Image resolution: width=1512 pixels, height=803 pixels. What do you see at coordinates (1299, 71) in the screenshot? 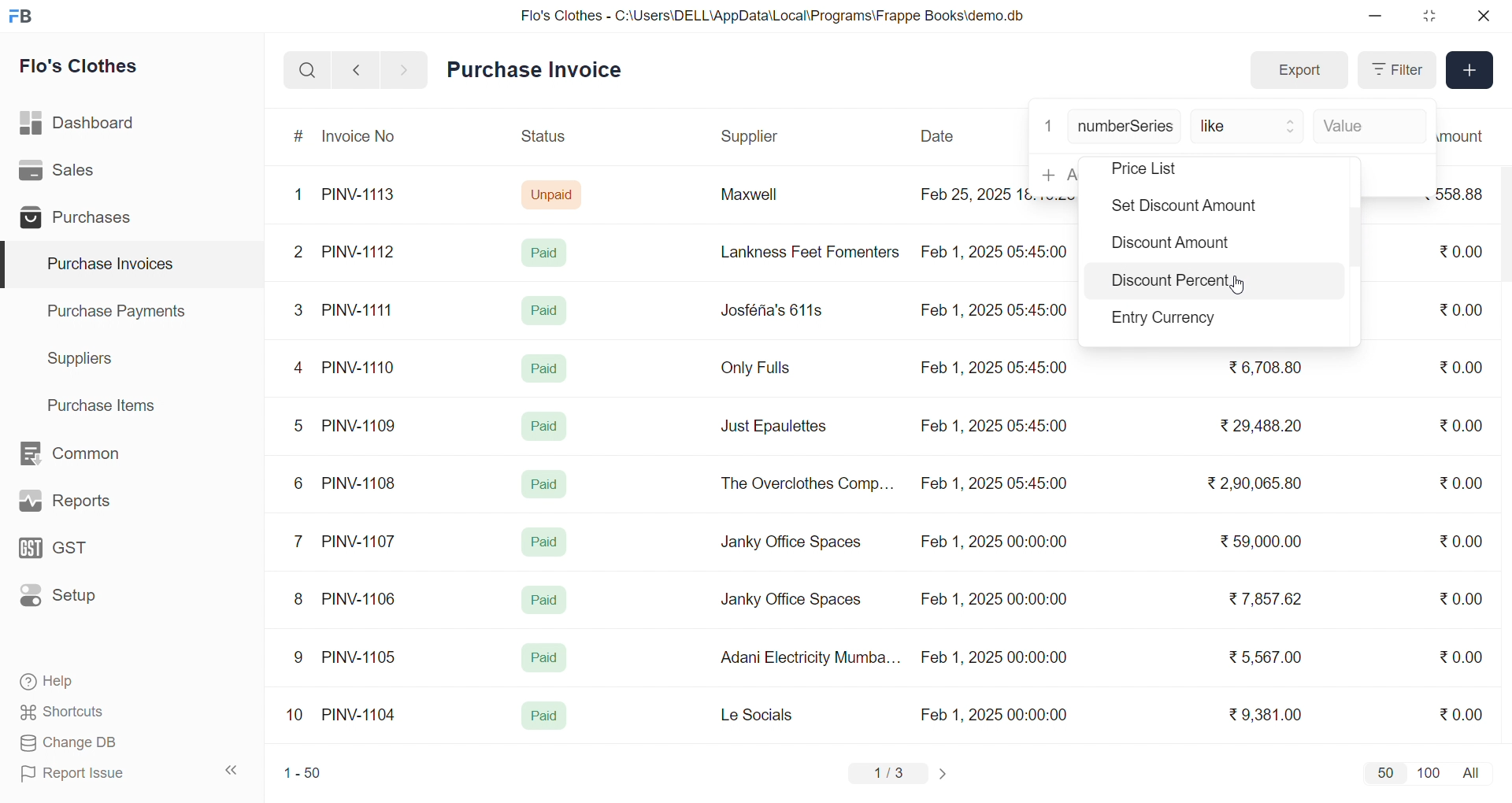
I see `Export` at bounding box center [1299, 71].